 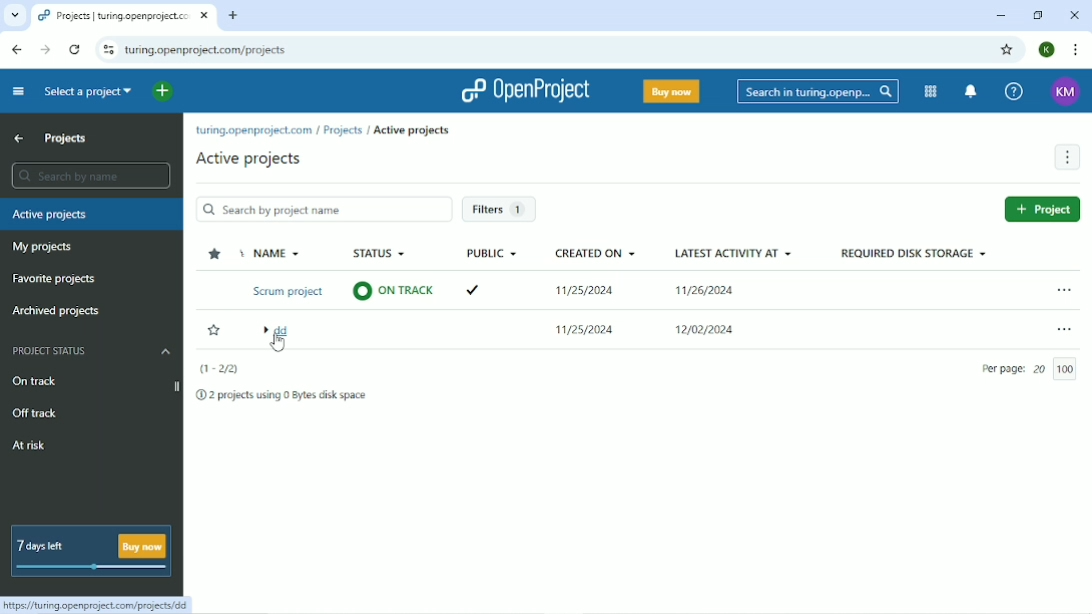 What do you see at coordinates (597, 293) in the screenshot?
I see `Created on` at bounding box center [597, 293].